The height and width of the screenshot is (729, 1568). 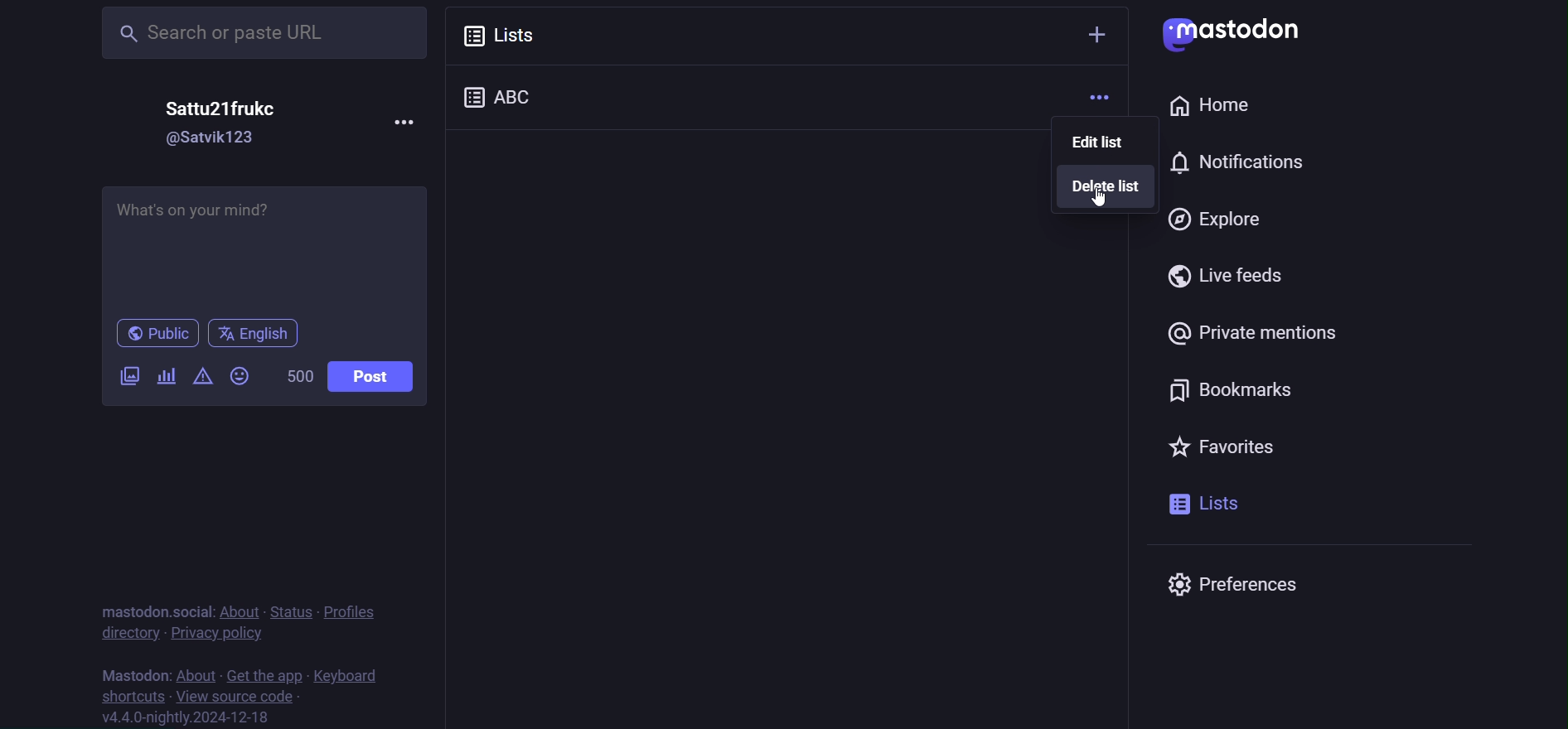 I want to click on search, so click(x=248, y=33).